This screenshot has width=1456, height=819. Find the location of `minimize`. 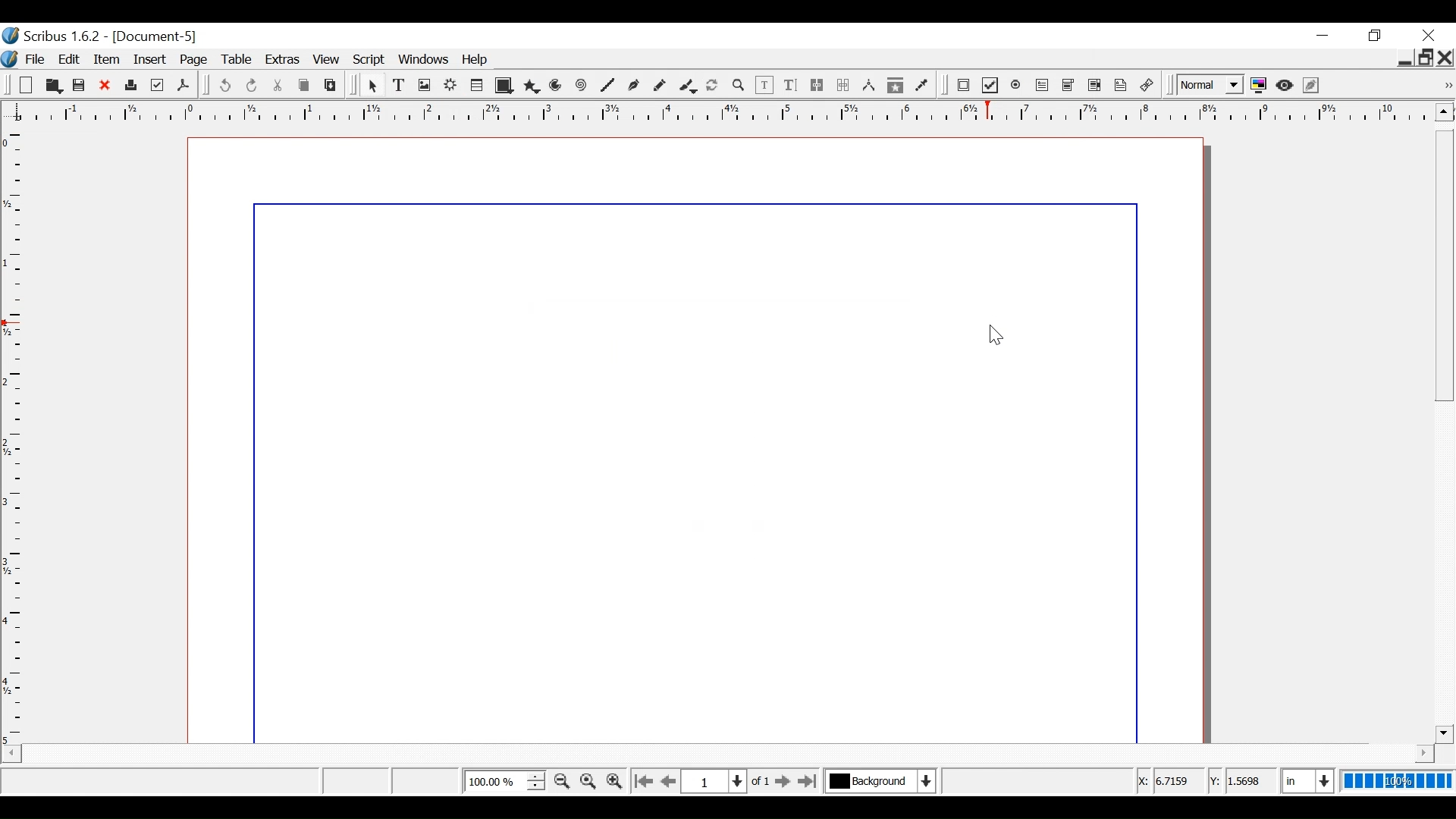

minimize is located at coordinates (1403, 60).